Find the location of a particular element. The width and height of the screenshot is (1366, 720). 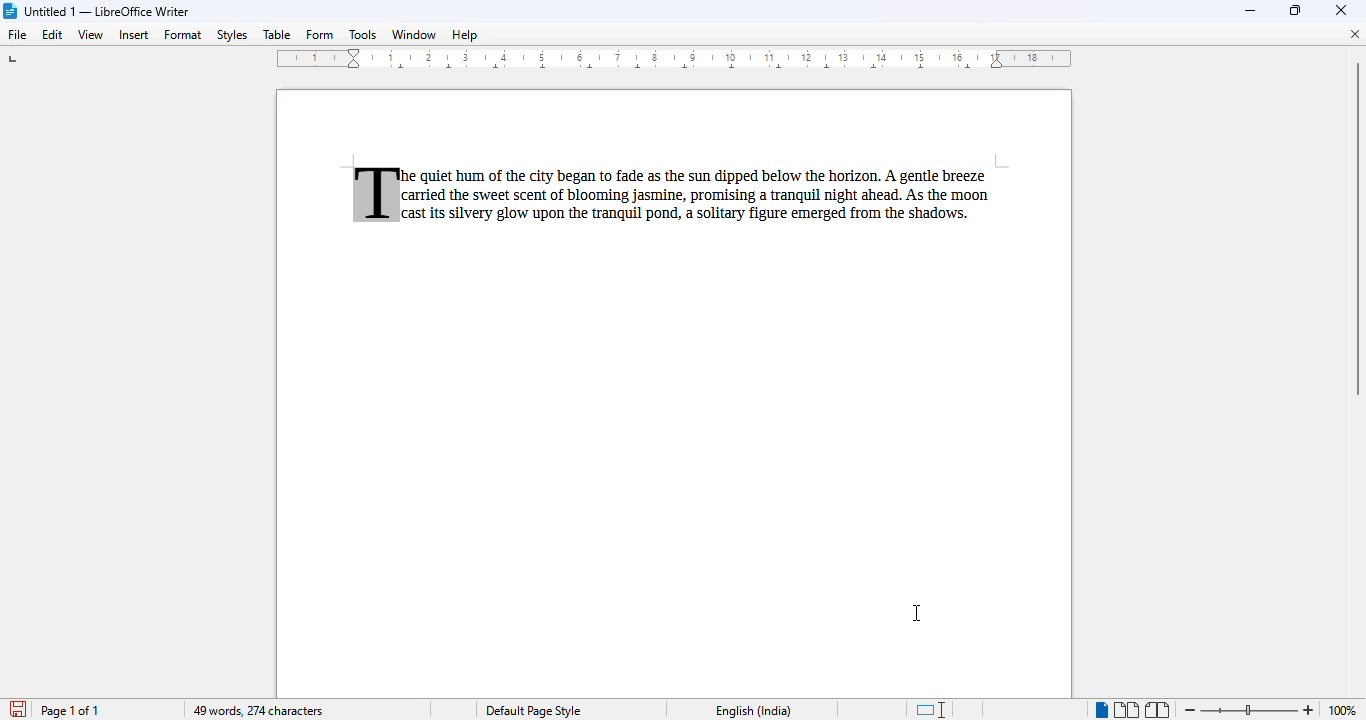

ruler is located at coordinates (675, 60).